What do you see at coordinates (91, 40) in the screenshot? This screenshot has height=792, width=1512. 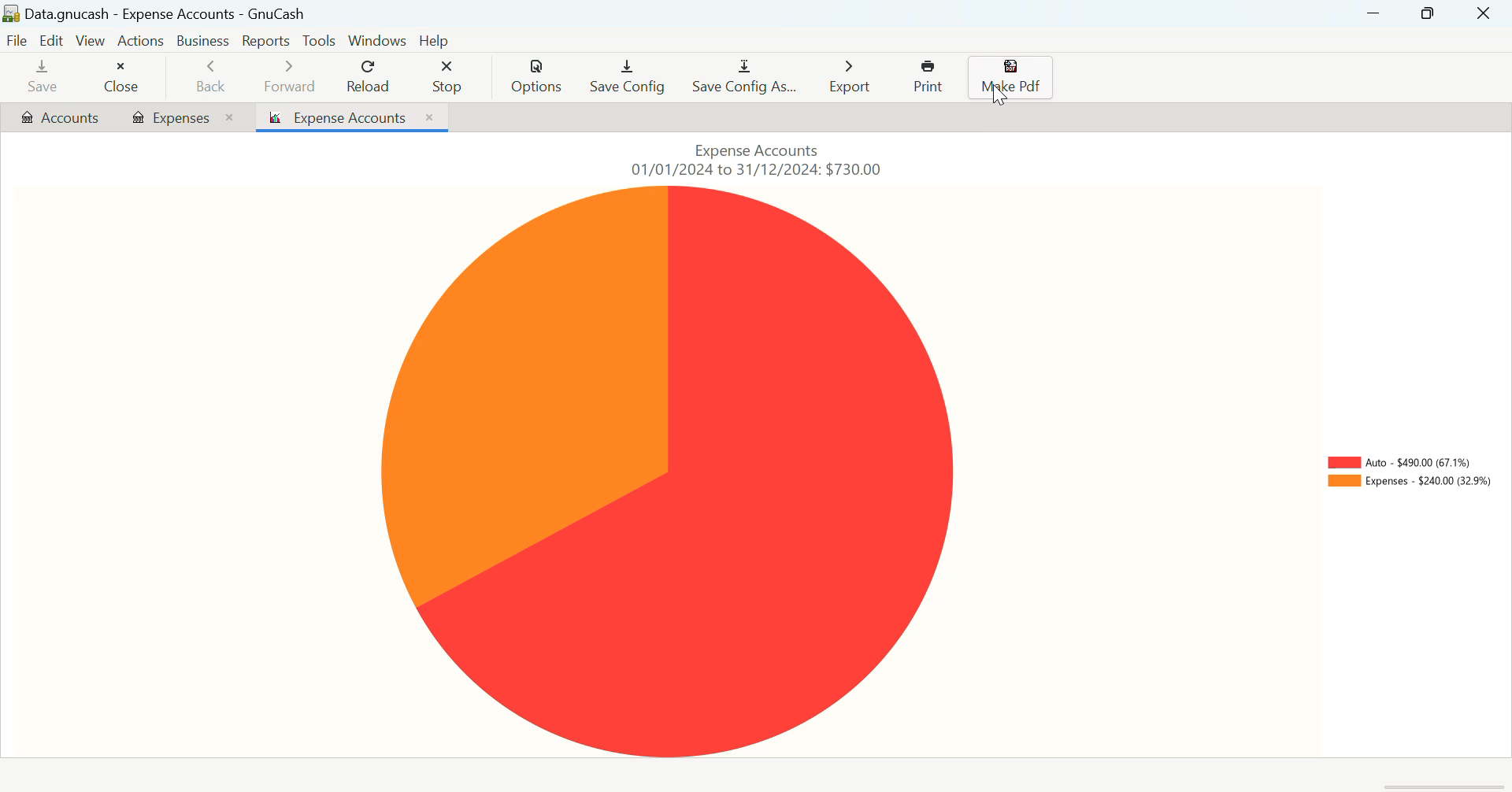 I see `View` at bounding box center [91, 40].